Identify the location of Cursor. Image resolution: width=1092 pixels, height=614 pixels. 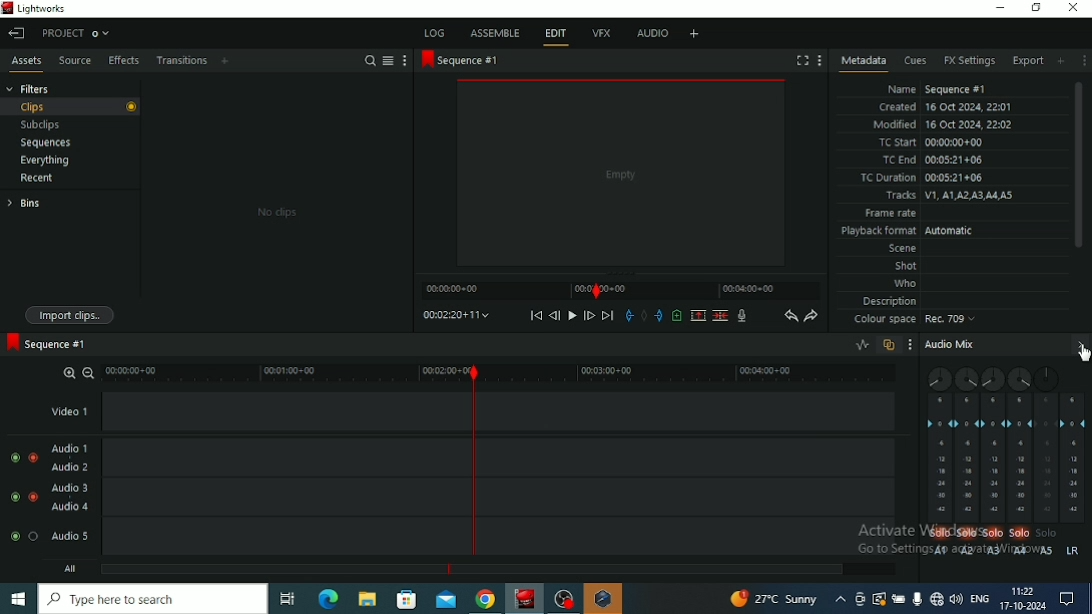
(1082, 352).